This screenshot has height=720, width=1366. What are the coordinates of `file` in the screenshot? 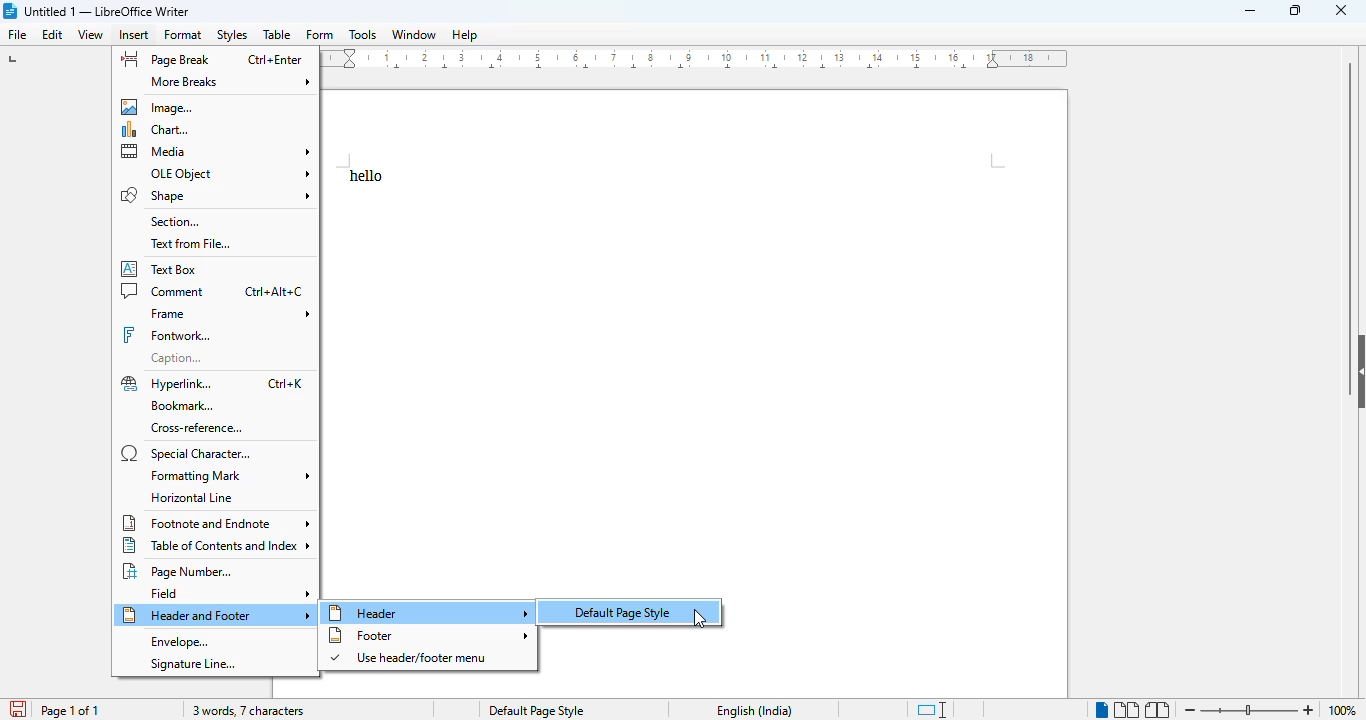 It's located at (16, 34).